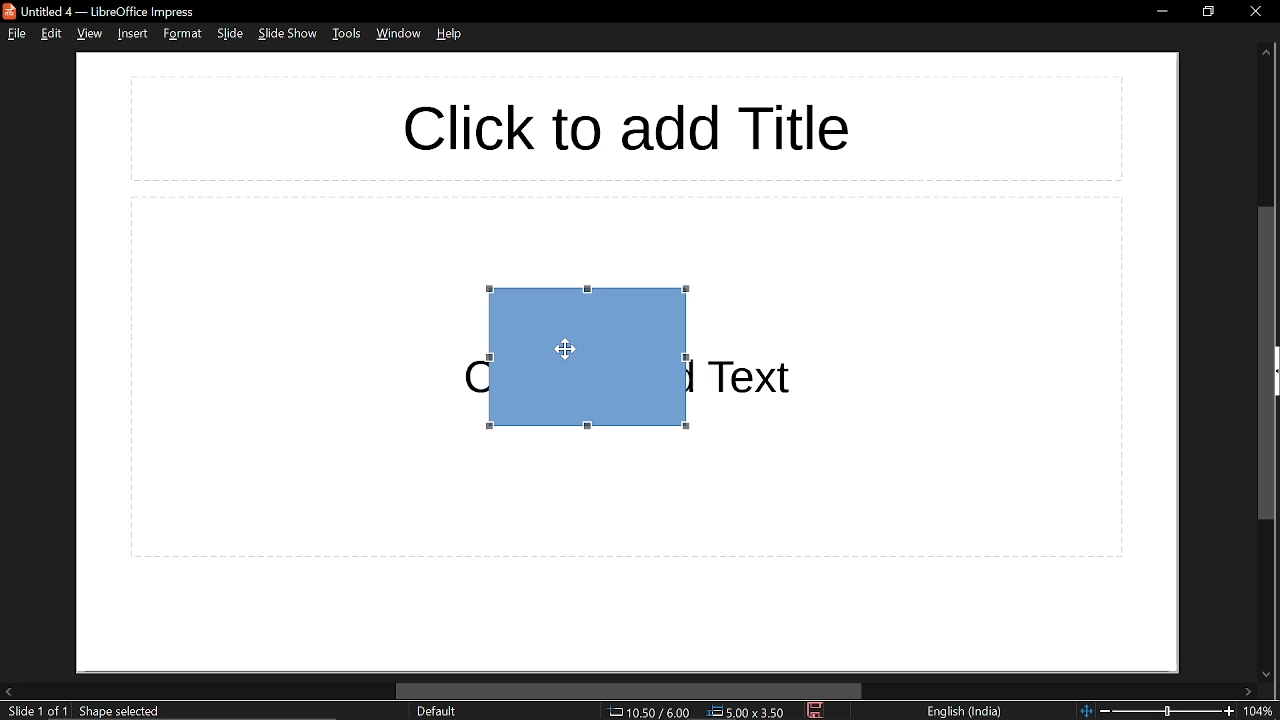  Describe the element at coordinates (230, 34) in the screenshot. I see `slide` at that location.